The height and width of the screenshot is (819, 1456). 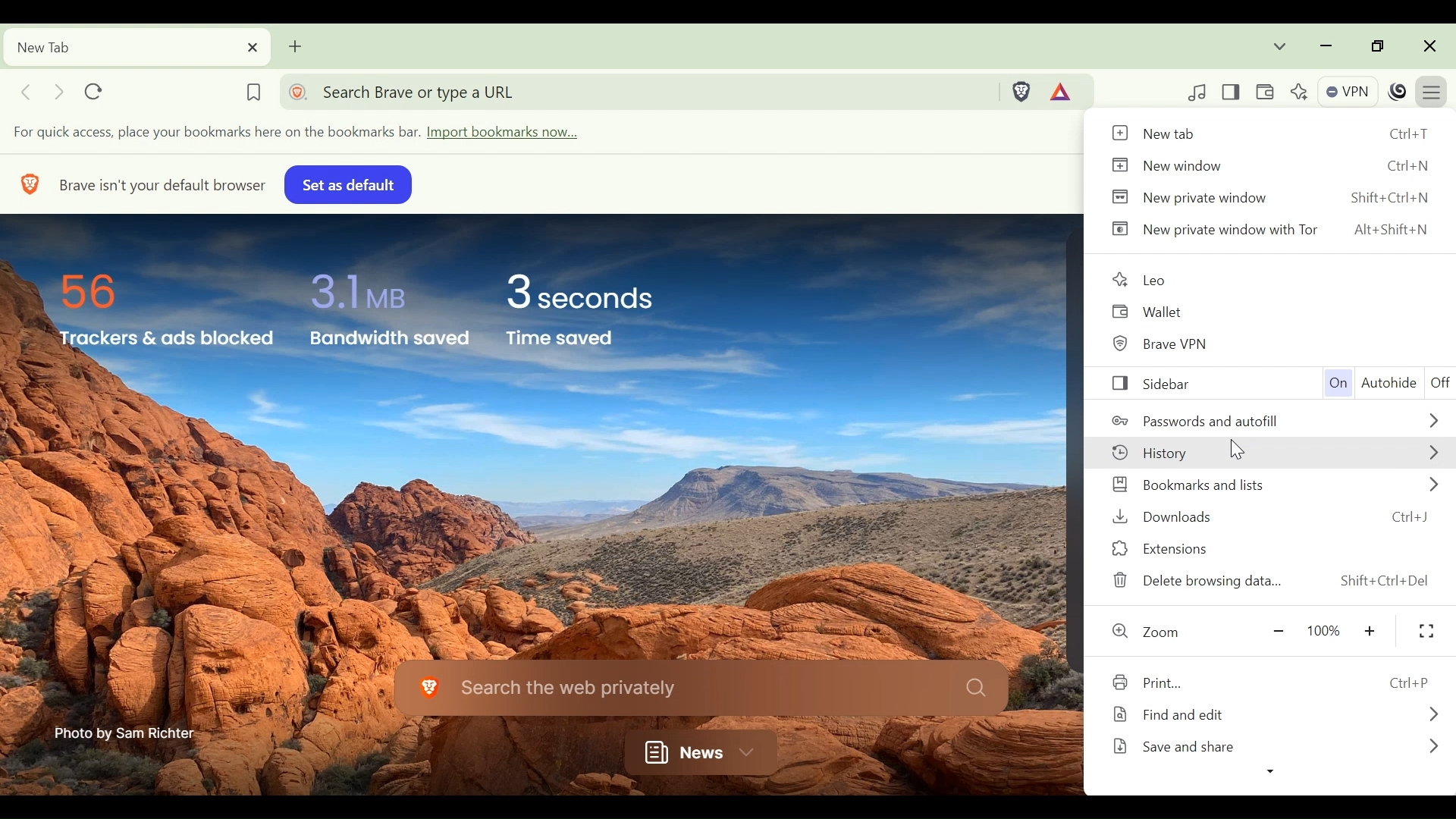 What do you see at coordinates (1398, 91) in the screenshot?
I see `Profile` at bounding box center [1398, 91].